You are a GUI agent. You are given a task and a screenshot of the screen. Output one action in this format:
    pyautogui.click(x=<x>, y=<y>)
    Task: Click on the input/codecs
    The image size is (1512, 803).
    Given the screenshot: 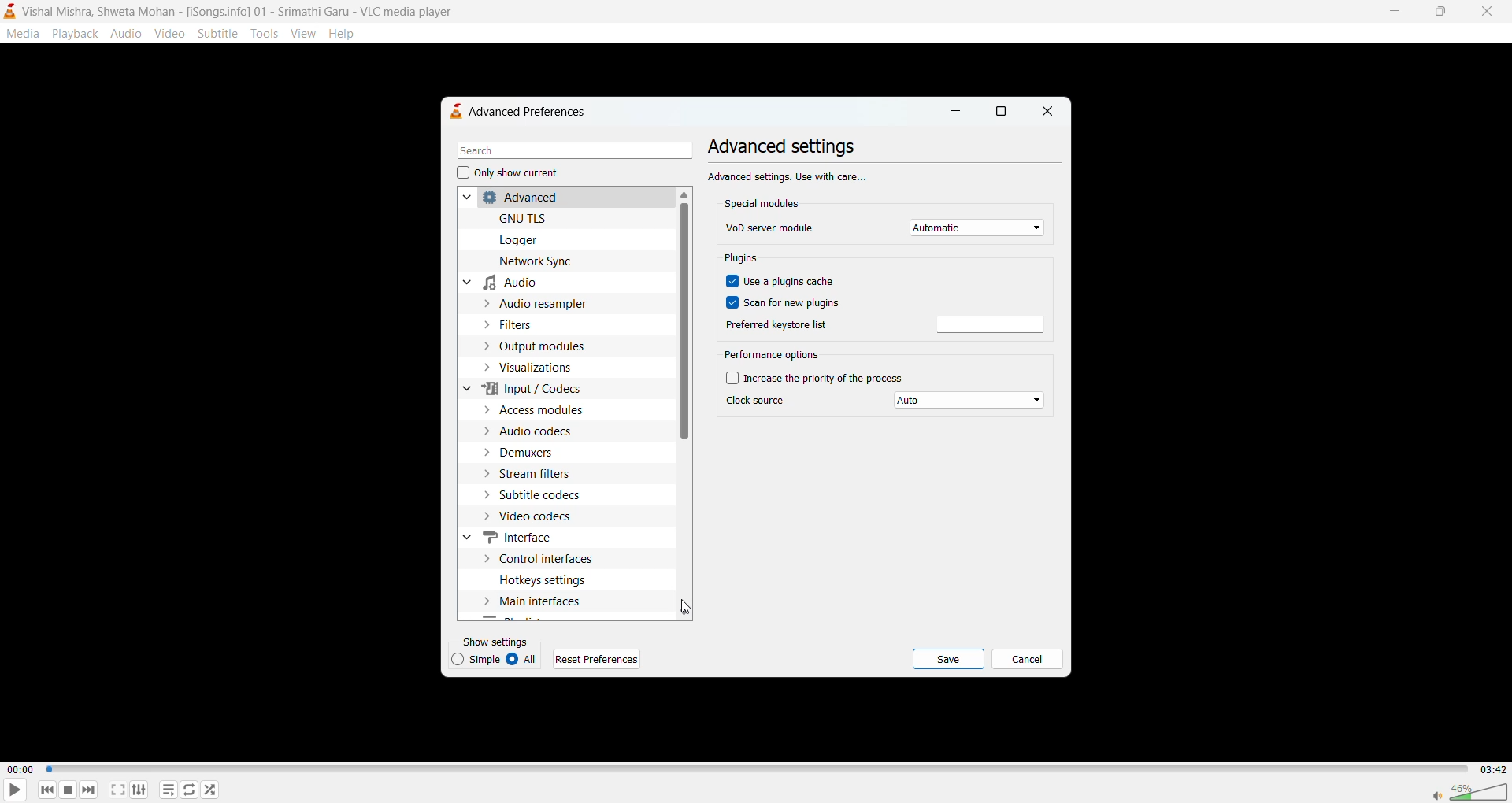 What is the action you would take?
    pyautogui.click(x=529, y=388)
    